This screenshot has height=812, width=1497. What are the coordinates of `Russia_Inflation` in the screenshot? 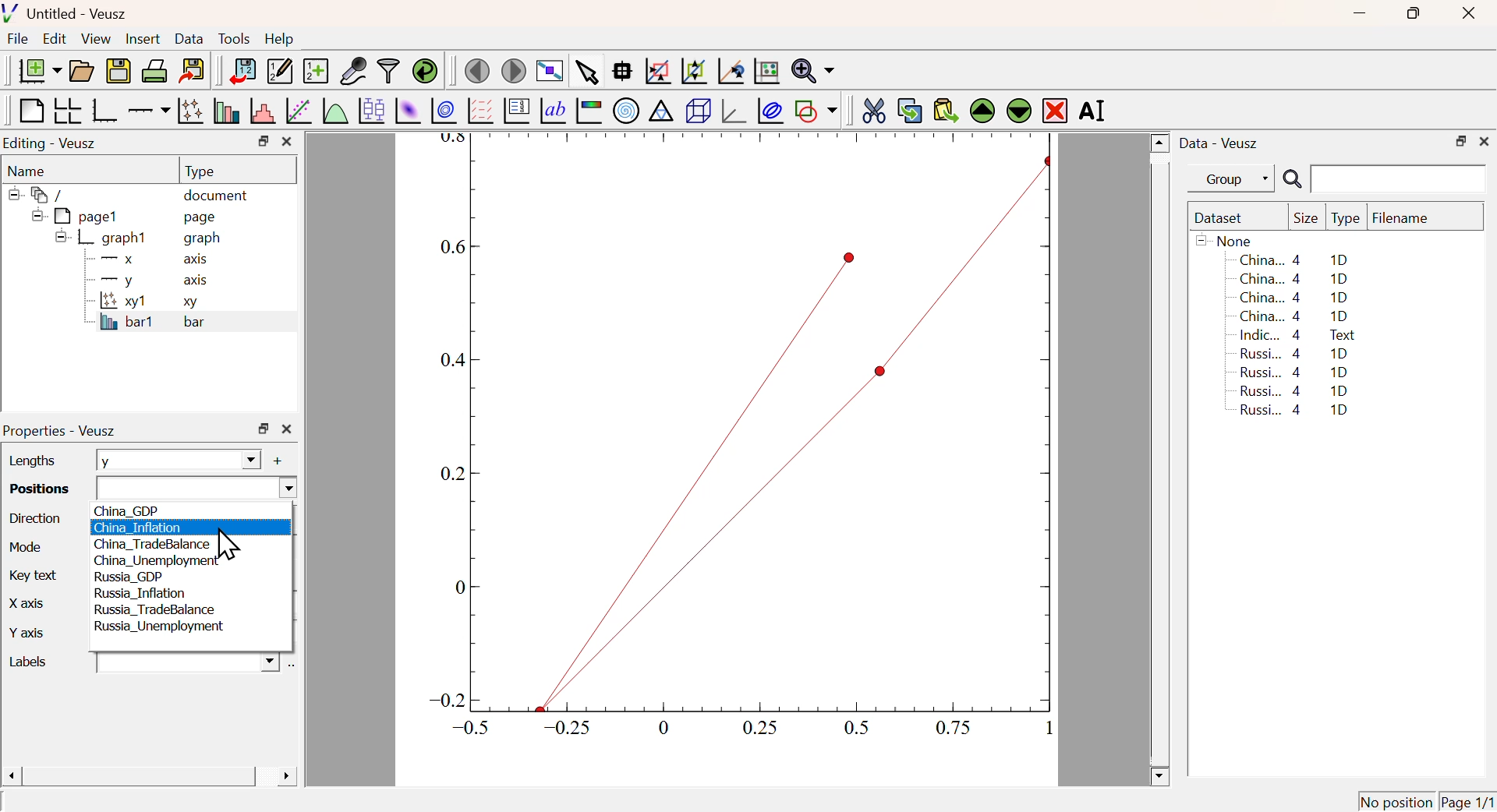 It's located at (142, 594).